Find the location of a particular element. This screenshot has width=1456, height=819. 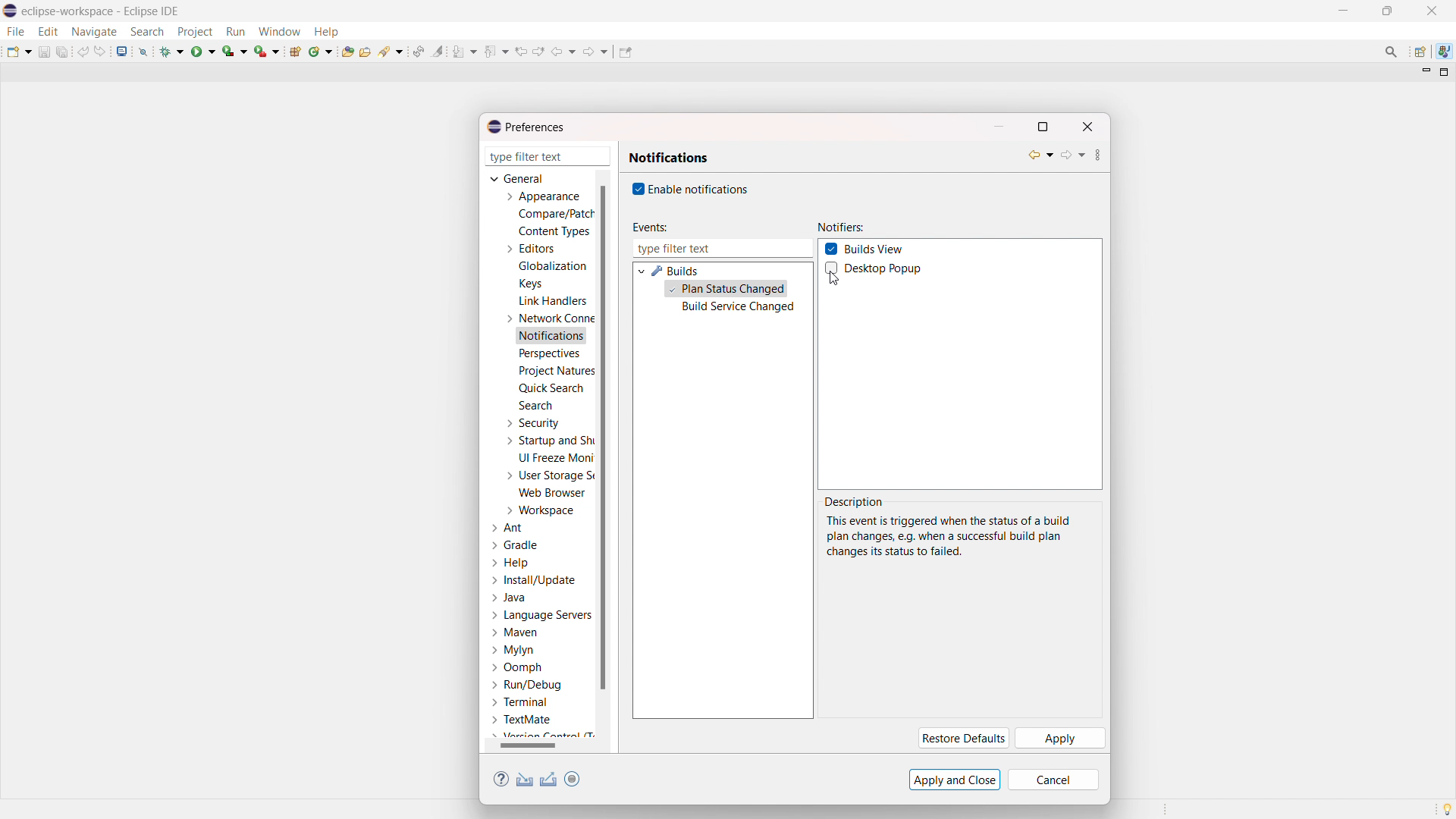

import is located at coordinates (525, 780).